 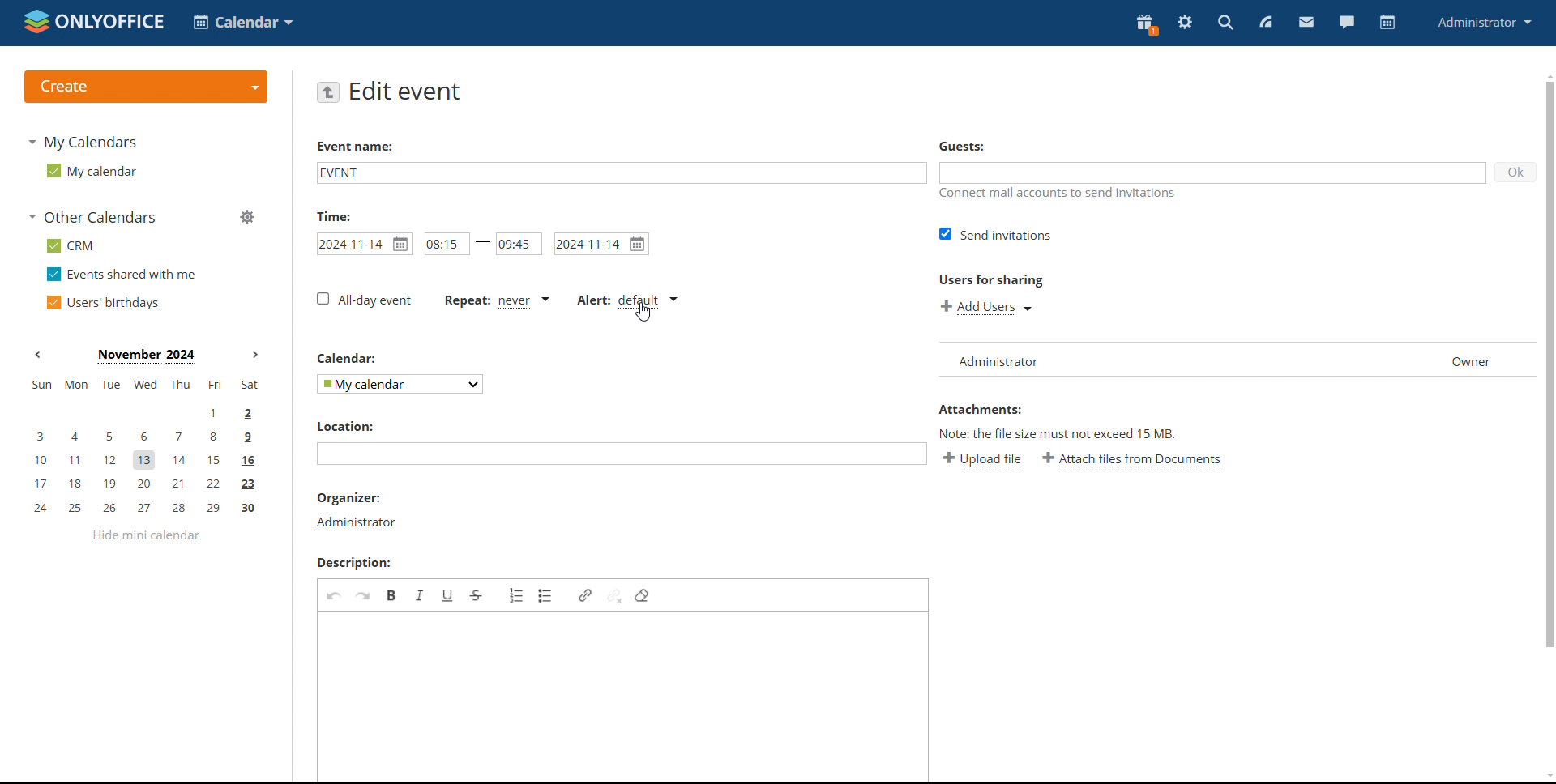 I want to click on administrator, so click(x=1483, y=21).